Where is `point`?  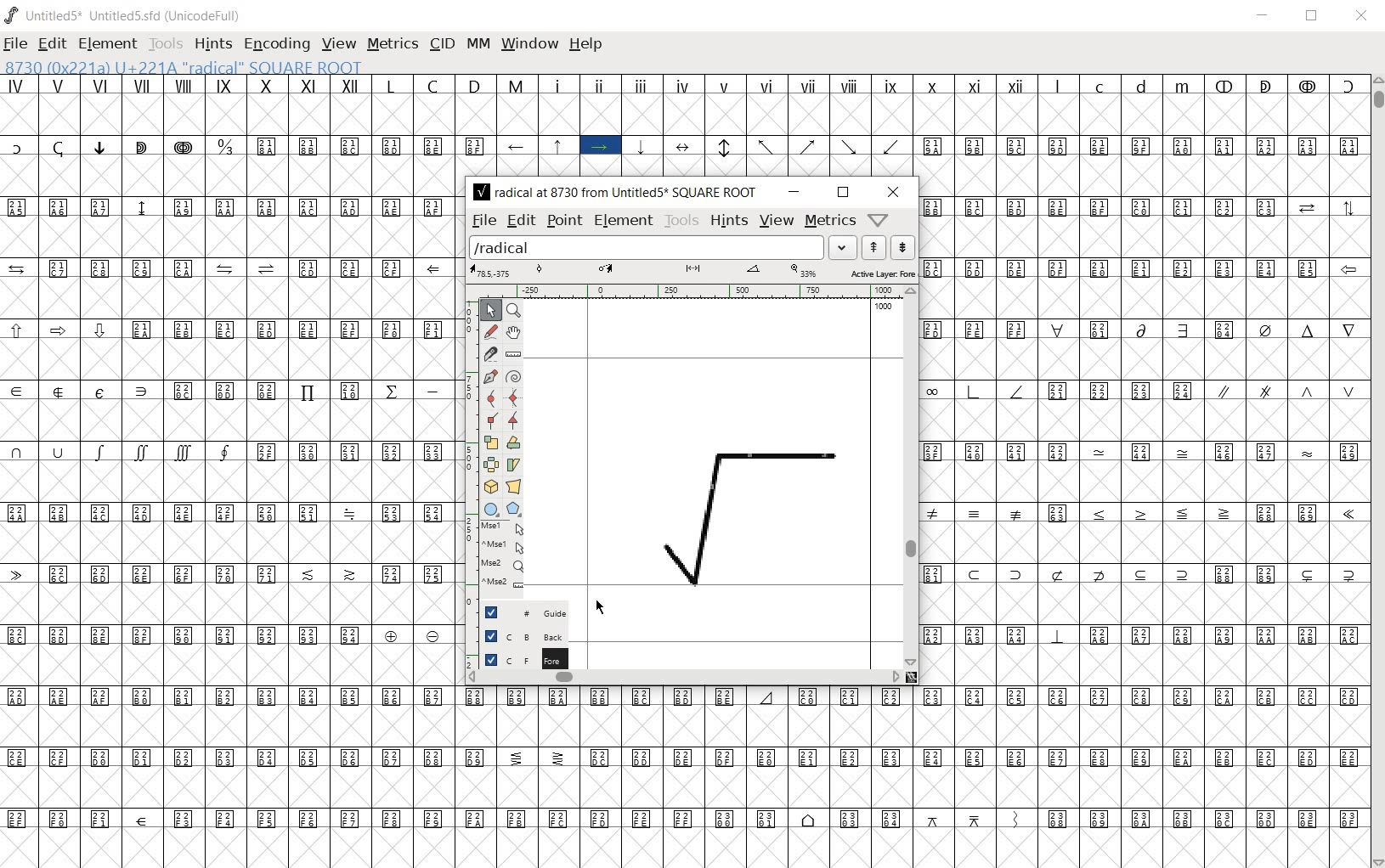 point is located at coordinates (565, 219).